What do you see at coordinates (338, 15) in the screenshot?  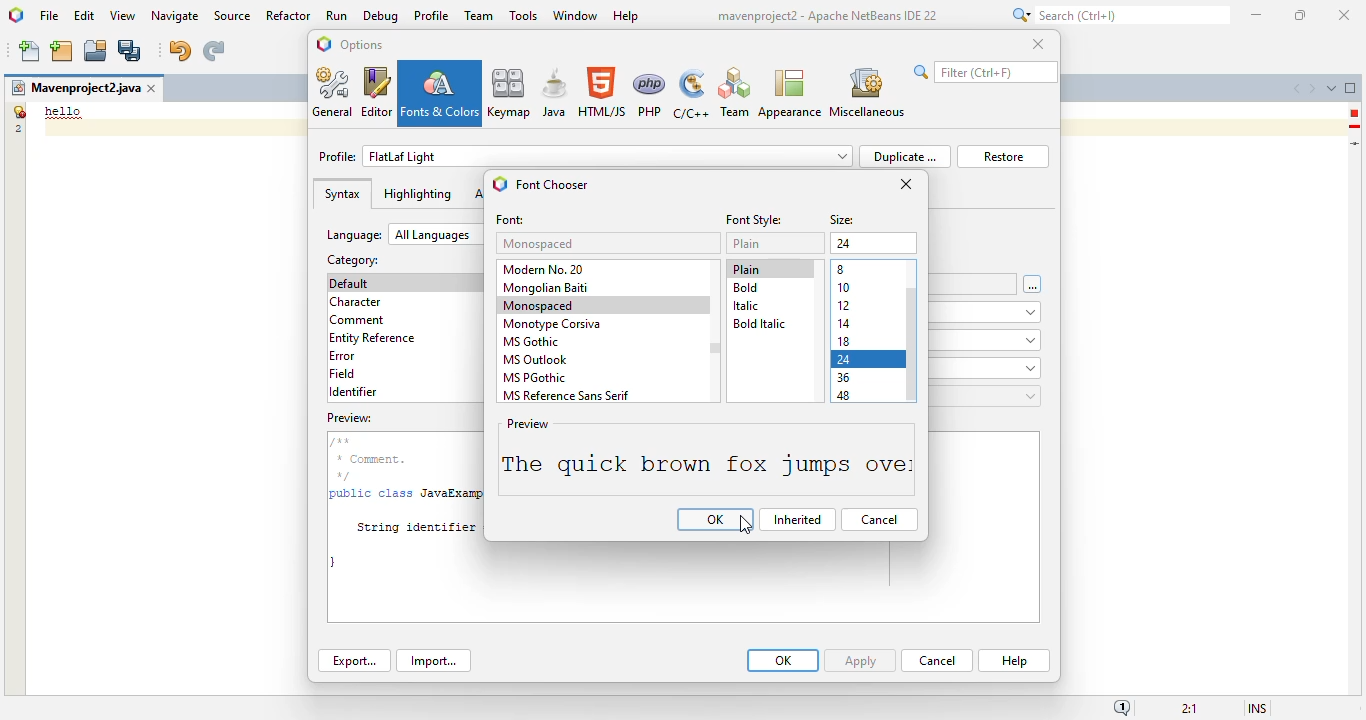 I see `run` at bounding box center [338, 15].